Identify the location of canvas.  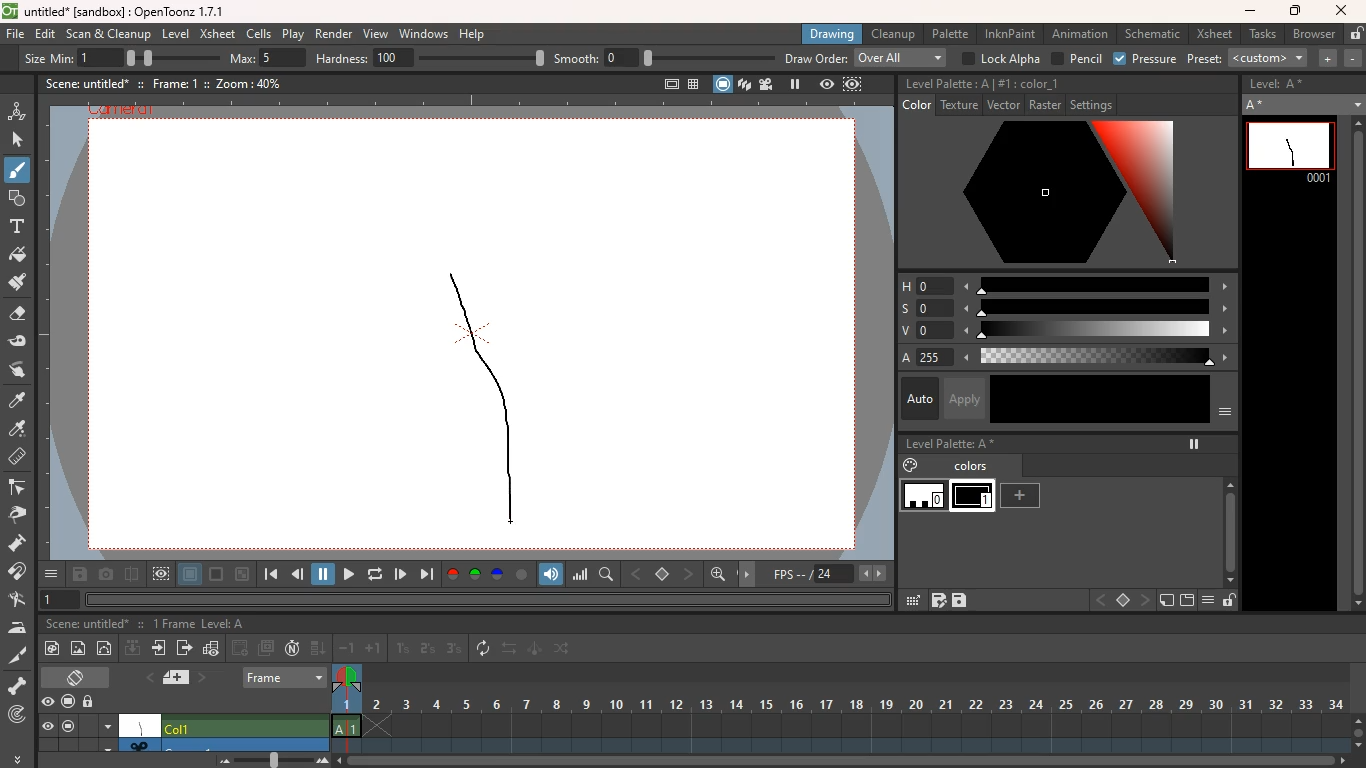
(141, 725).